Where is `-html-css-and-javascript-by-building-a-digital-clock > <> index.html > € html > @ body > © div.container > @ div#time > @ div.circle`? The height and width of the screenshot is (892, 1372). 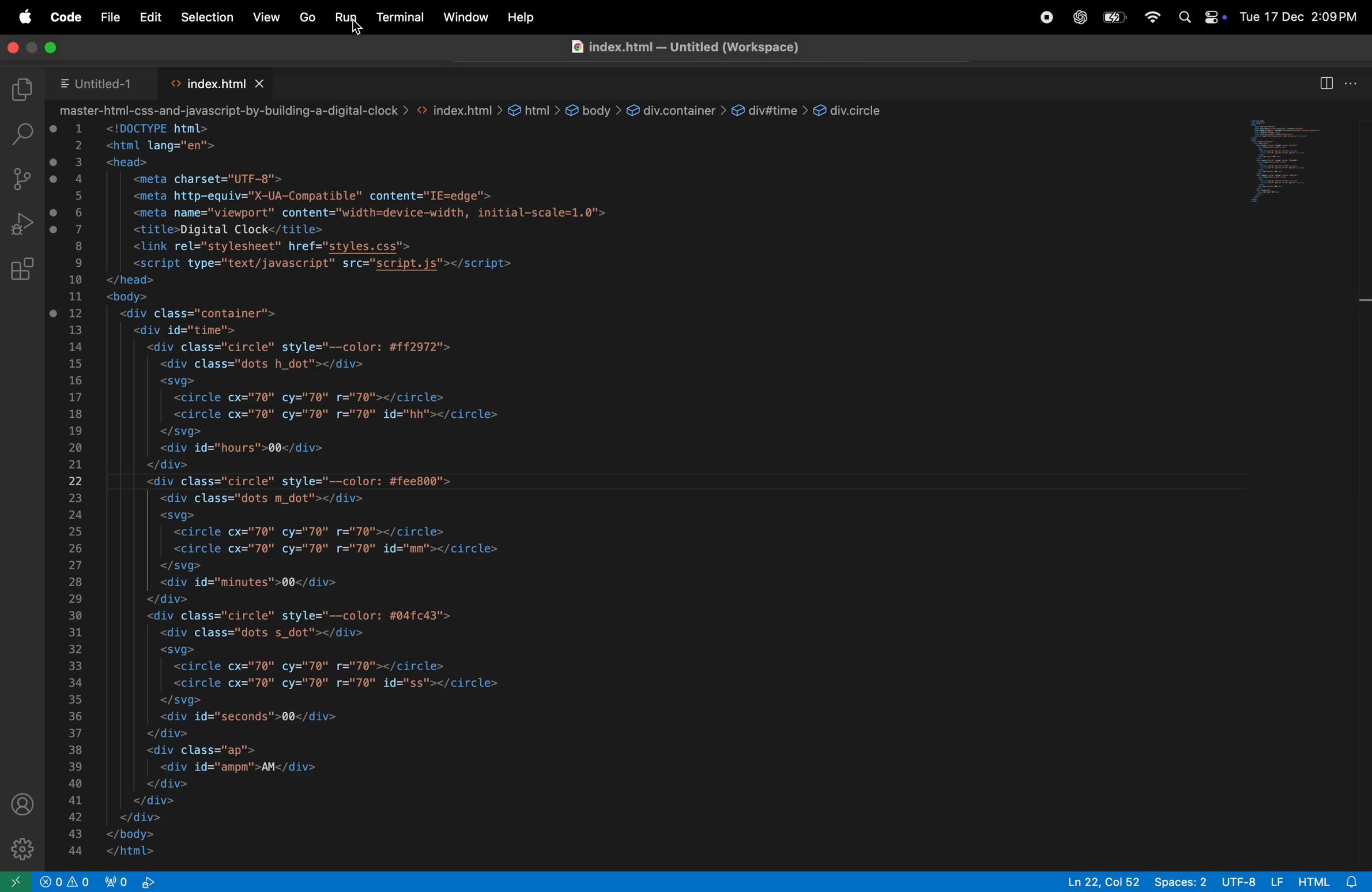 -html-css-and-javascript-by-building-a-digital-clock > <> index.html > € html > @ body > © div.container > @ div#time > @ div.circle is located at coordinates (474, 111).